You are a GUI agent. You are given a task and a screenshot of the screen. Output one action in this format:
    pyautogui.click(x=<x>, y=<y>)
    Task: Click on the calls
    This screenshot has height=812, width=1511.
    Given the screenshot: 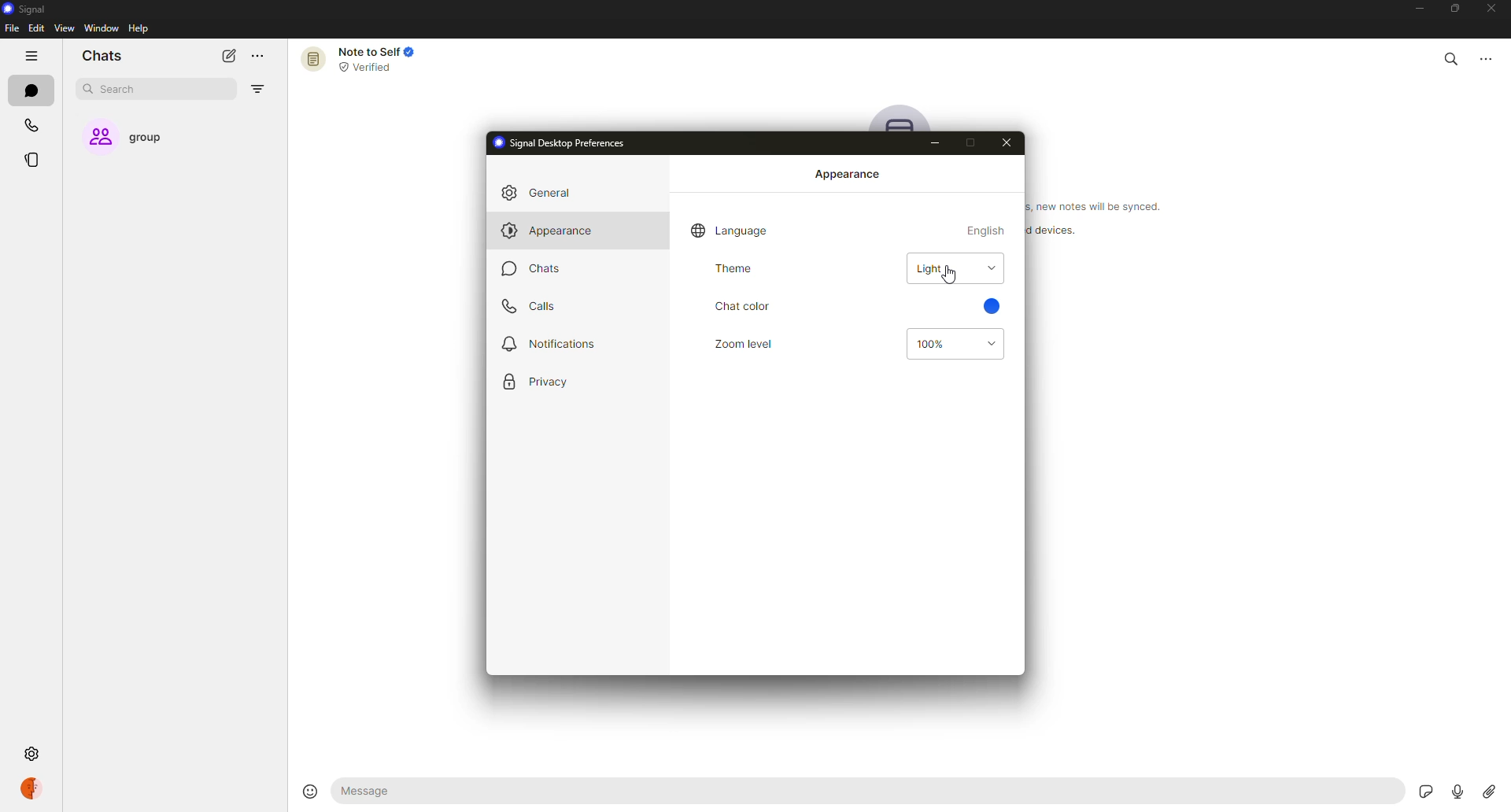 What is the action you would take?
    pyautogui.click(x=34, y=127)
    